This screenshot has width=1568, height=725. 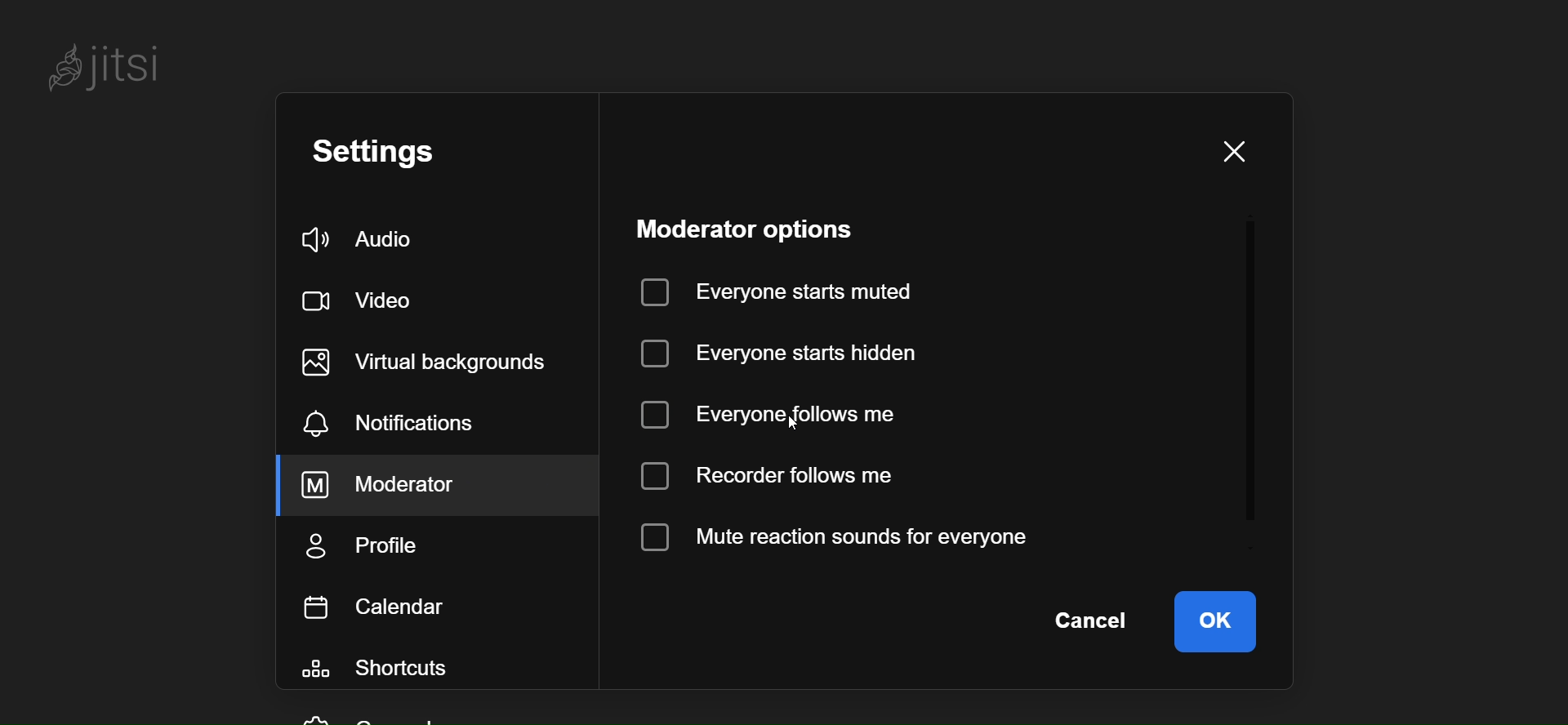 What do you see at coordinates (853, 535) in the screenshot?
I see `Mute reaction sounds for everyone` at bounding box center [853, 535].